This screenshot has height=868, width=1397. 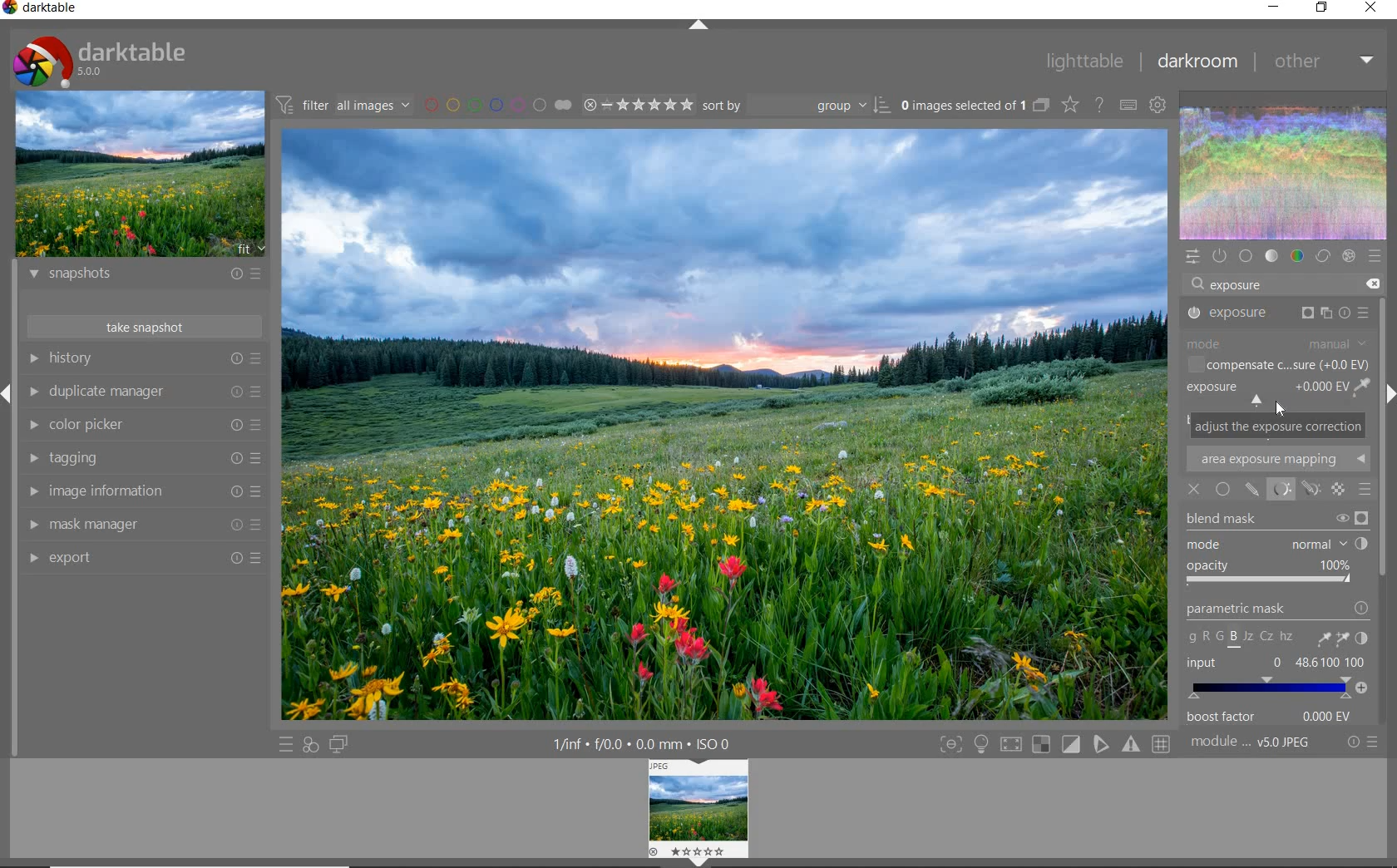 I want to click on BLENDING OPTIONS, so click(x=1365, y=491).